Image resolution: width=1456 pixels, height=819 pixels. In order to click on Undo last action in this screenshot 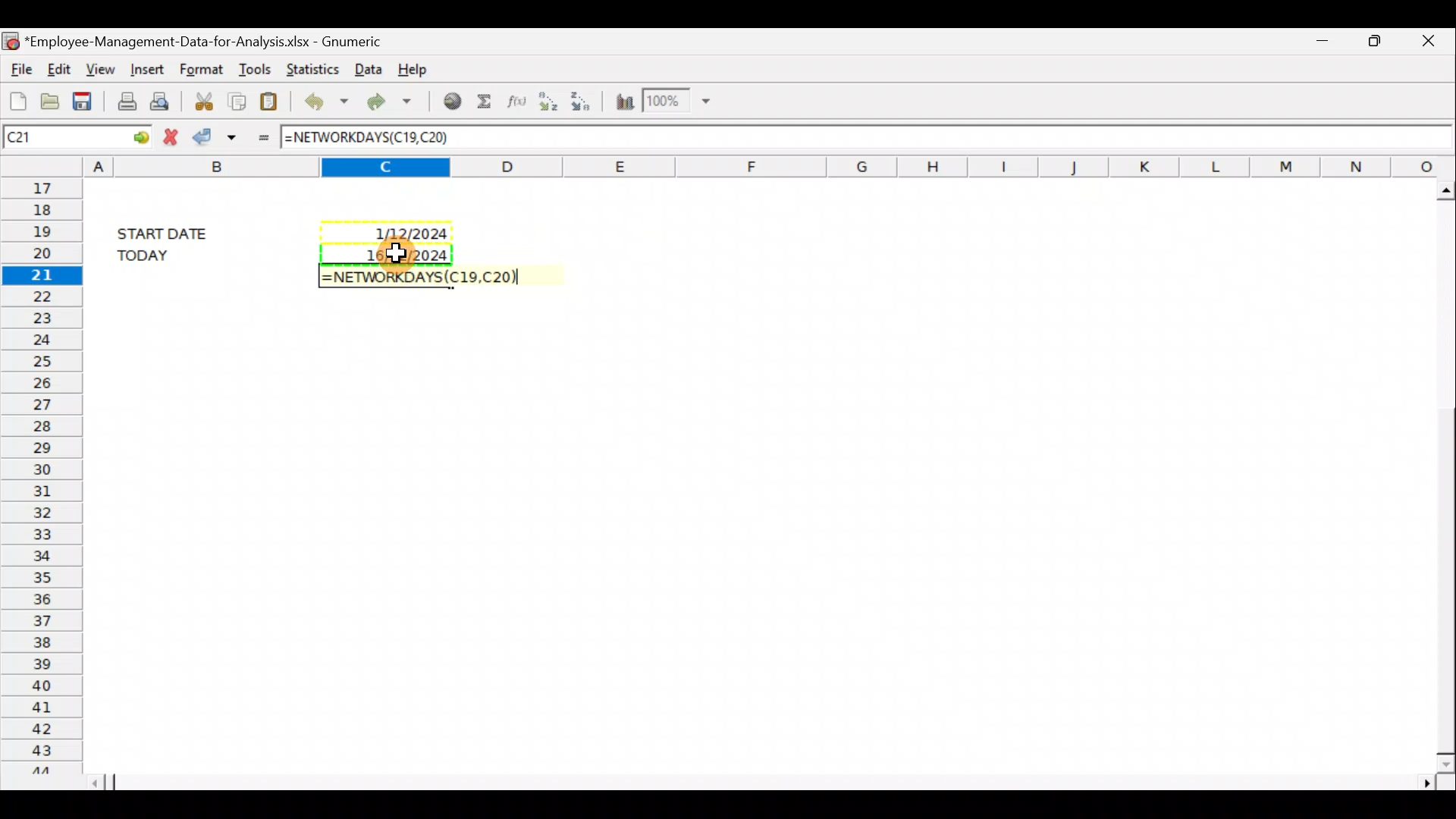, I will do `click(323, 99)`.